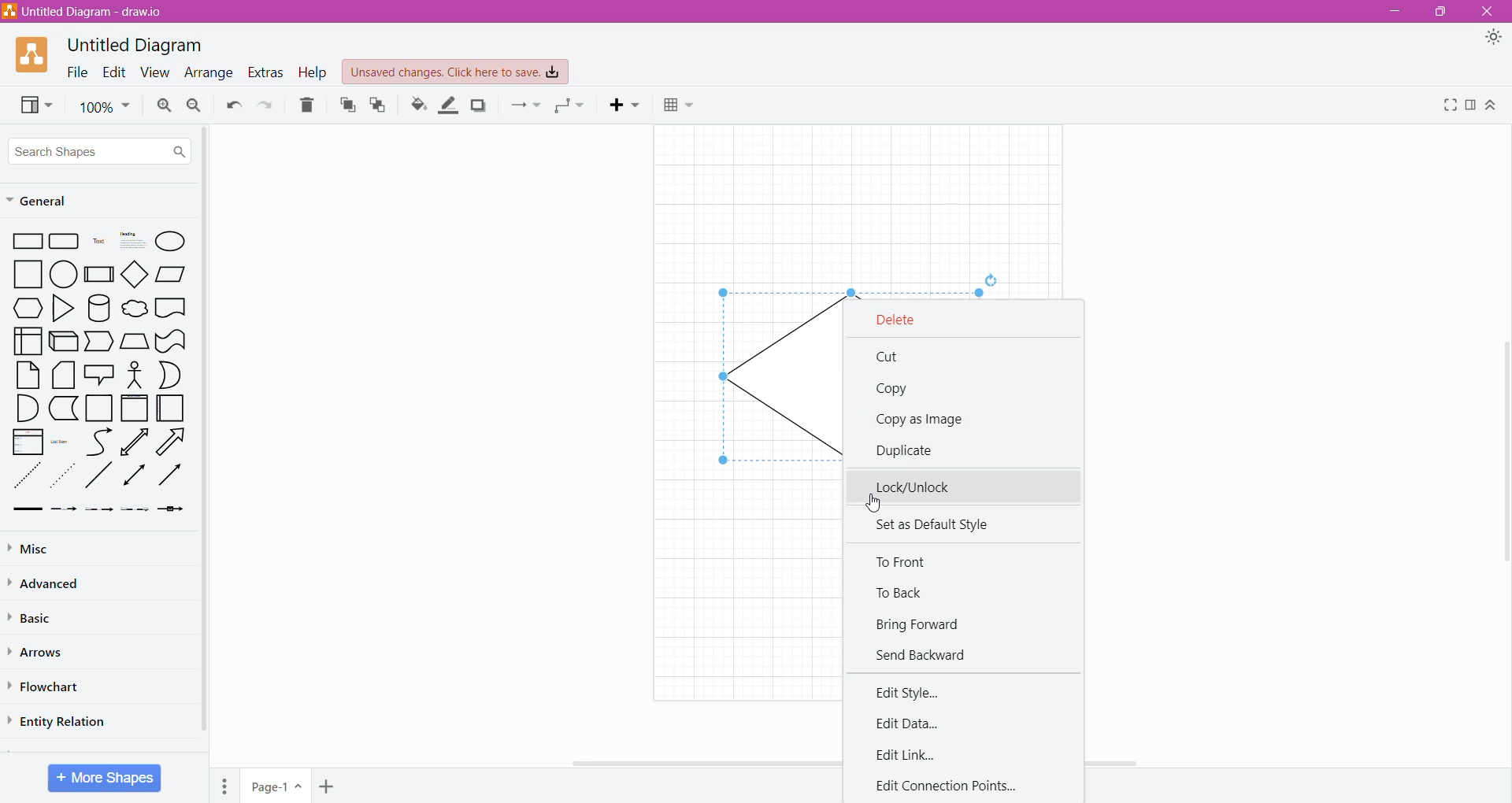 The height and width of the screenshot is (803, 1512). What do you see at coordinates (937, 525) in the screenshot?
I see `Set as Default Style` at bounding box center [937, 525].